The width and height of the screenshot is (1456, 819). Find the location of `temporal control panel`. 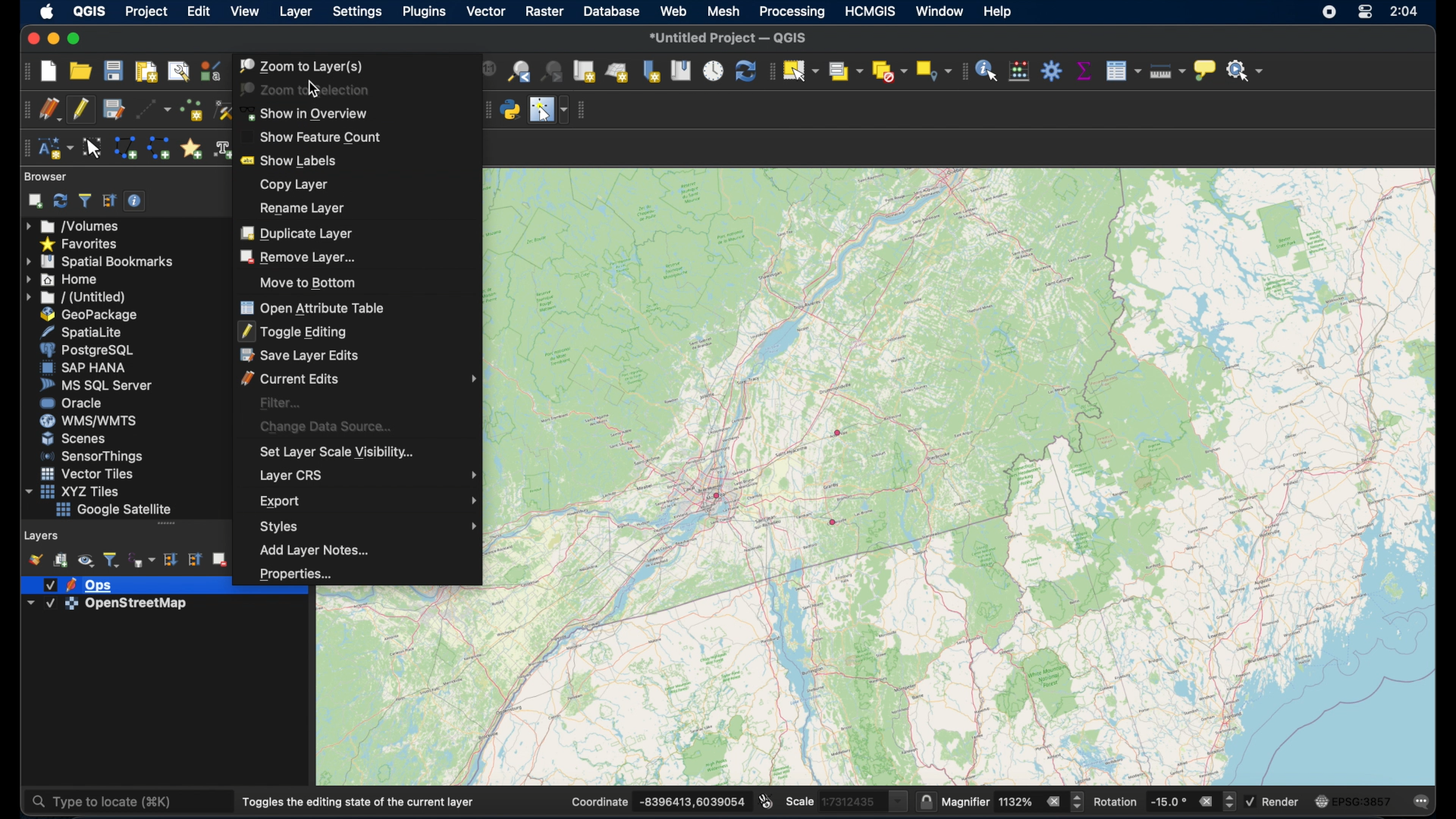

temporal control panel is located at coordinates (714, 71).